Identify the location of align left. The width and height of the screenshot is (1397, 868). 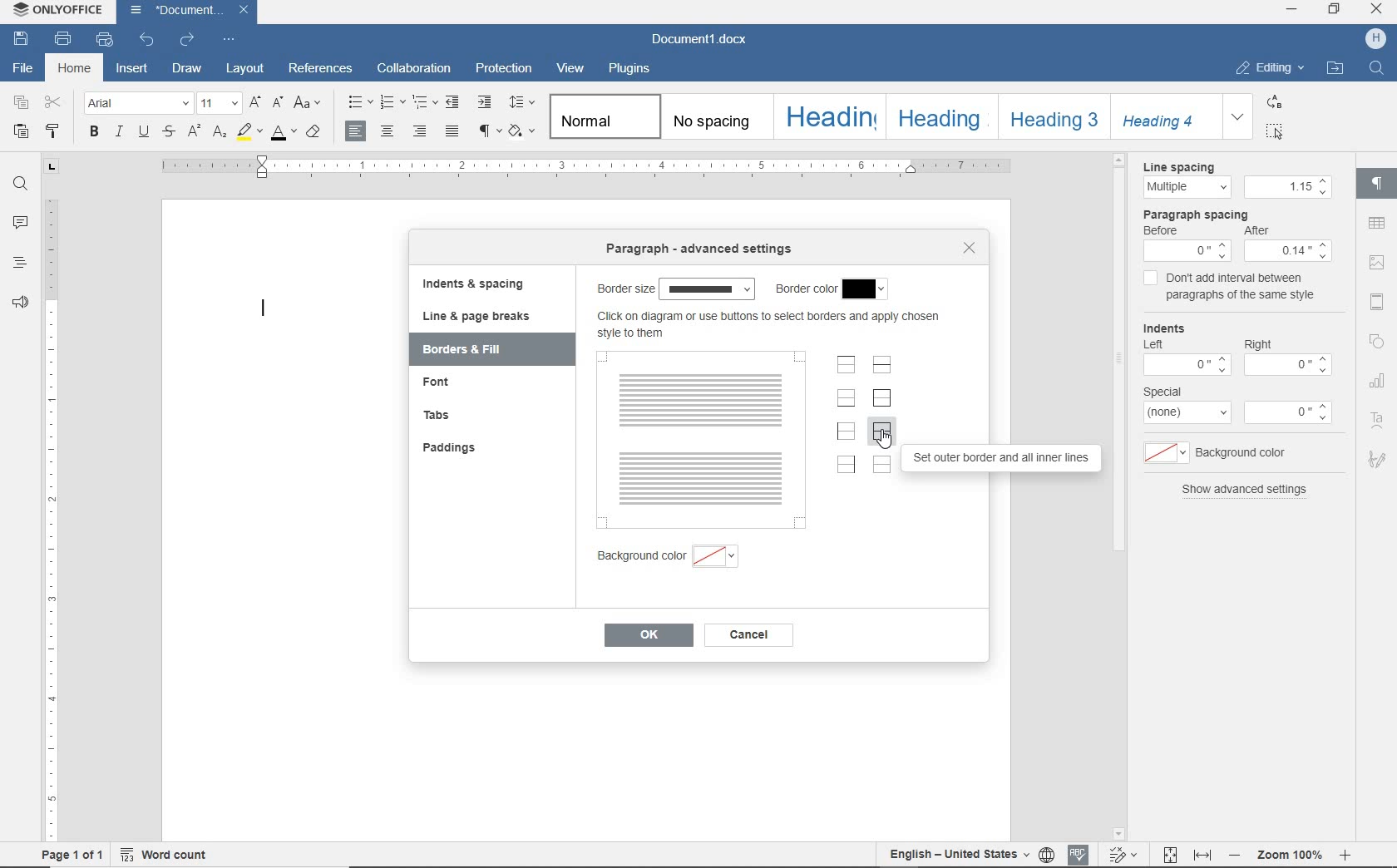
(357, 132).